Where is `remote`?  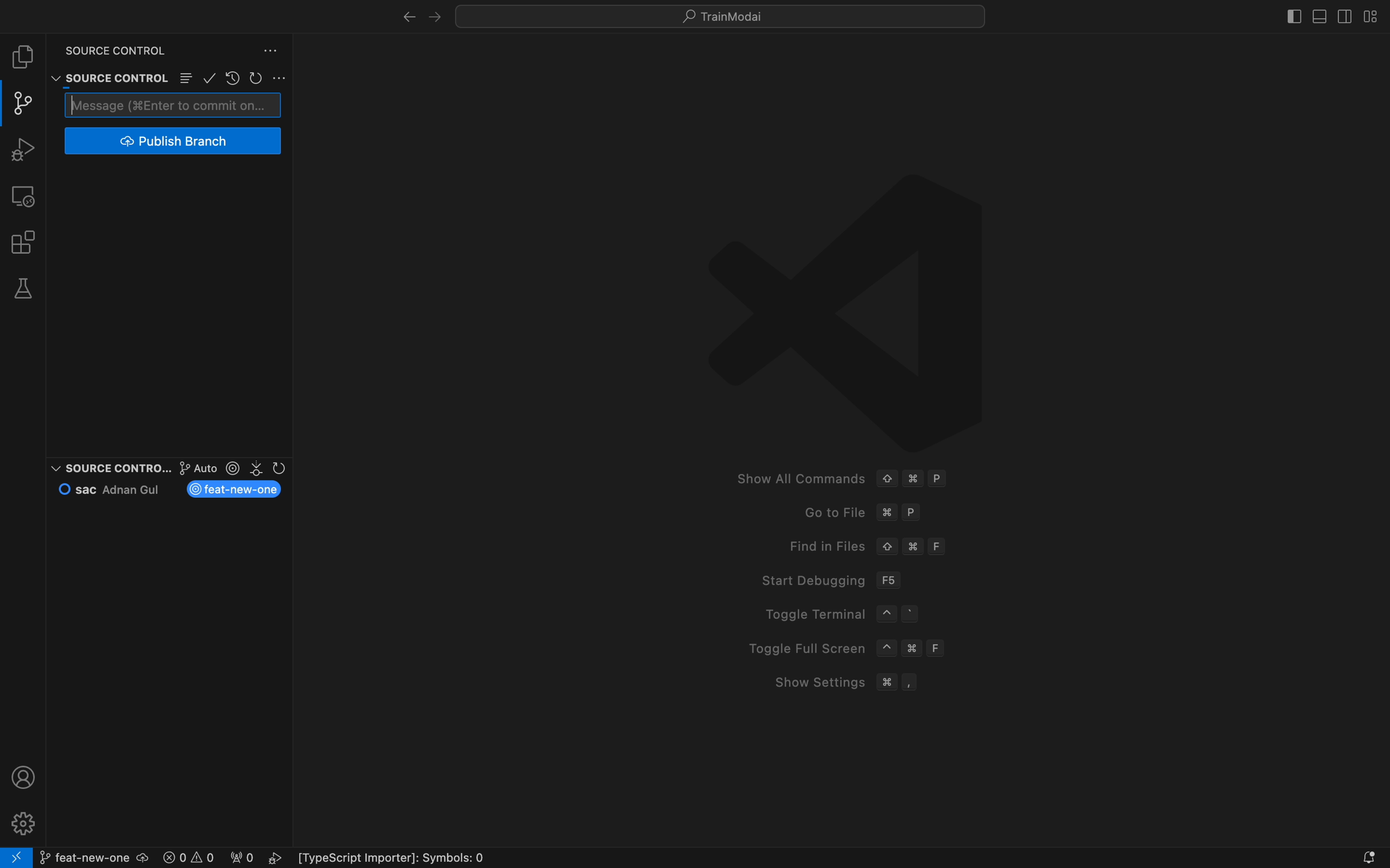
remote is located at coordinates (26, 195).